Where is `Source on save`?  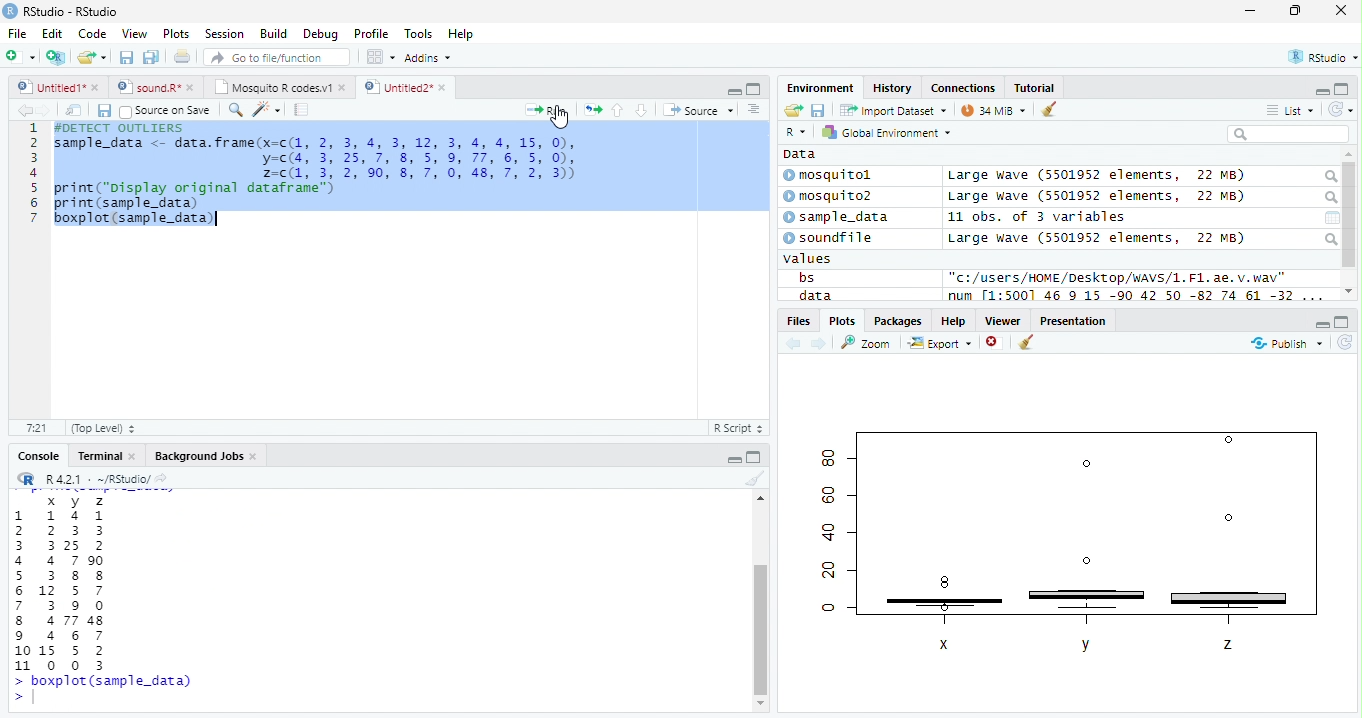 Source on save is located at coordinates (165, 112).